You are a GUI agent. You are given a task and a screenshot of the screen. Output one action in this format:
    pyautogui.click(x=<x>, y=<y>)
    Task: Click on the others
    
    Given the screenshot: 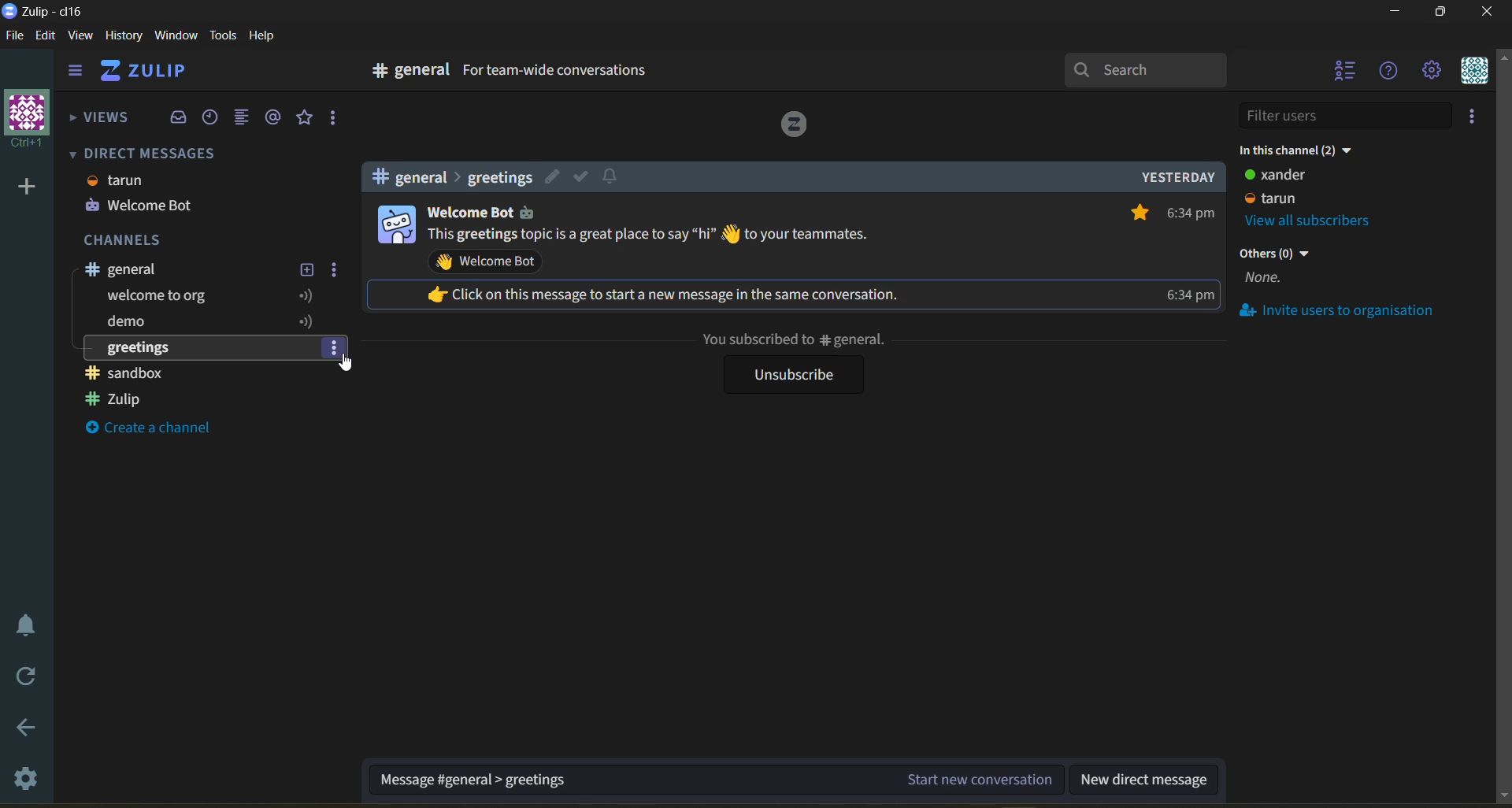 What is the action you would take?
    pyautogui.click(x=1277, y=269)
    